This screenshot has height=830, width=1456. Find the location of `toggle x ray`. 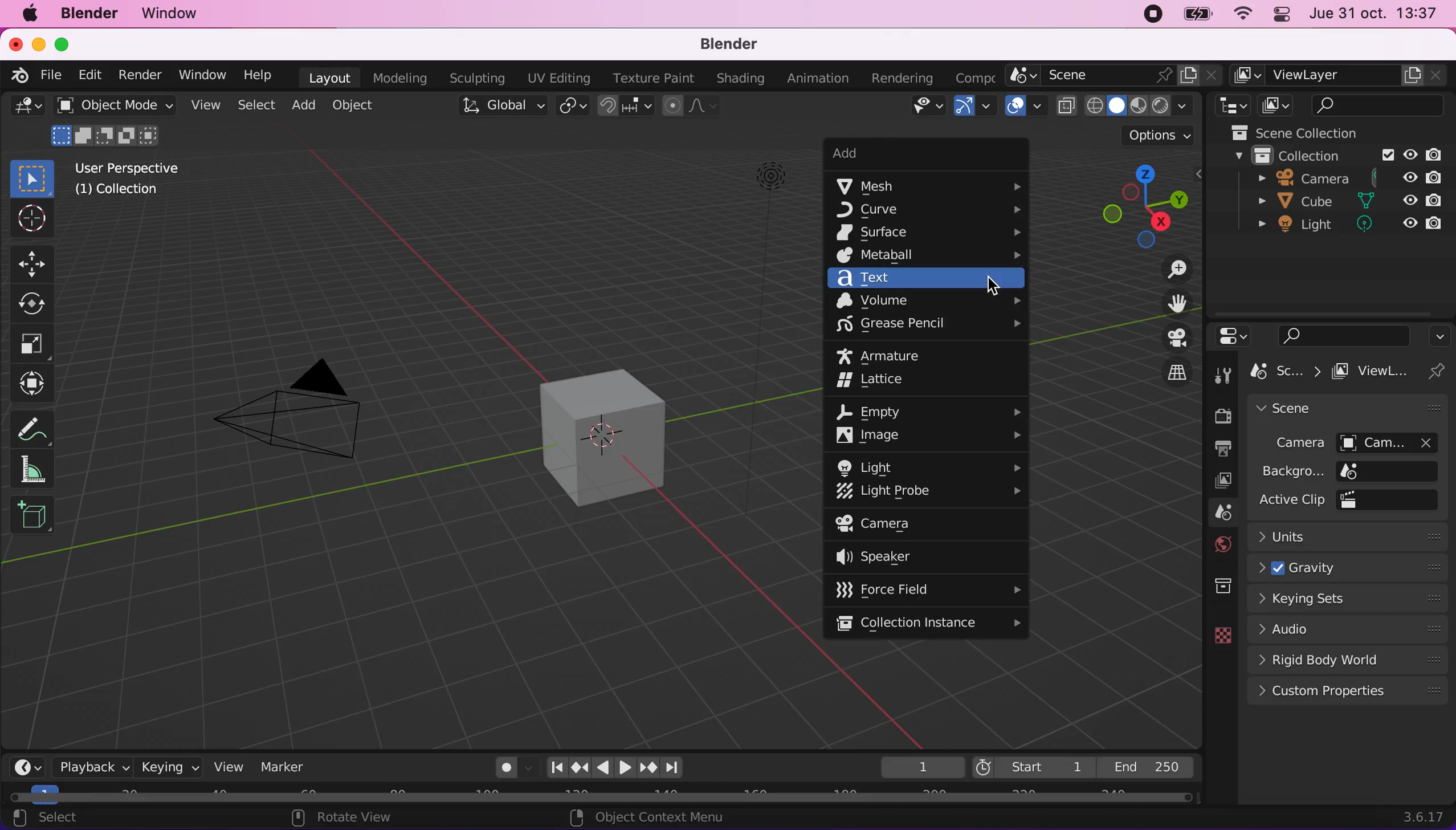

toggle x ray is located at coordinates (1066, 106).